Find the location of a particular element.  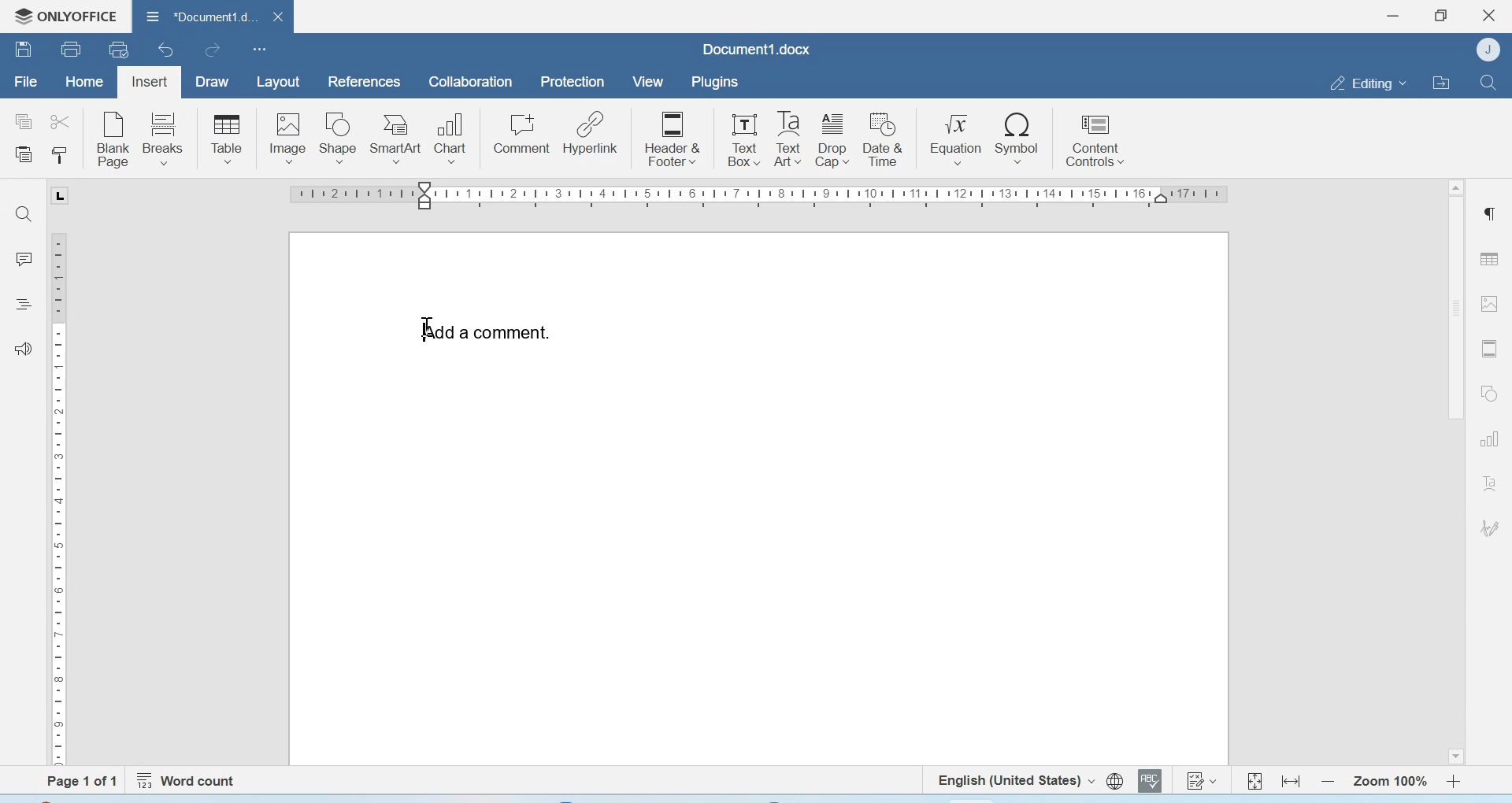

Insert is located at coordinates (149, 83).